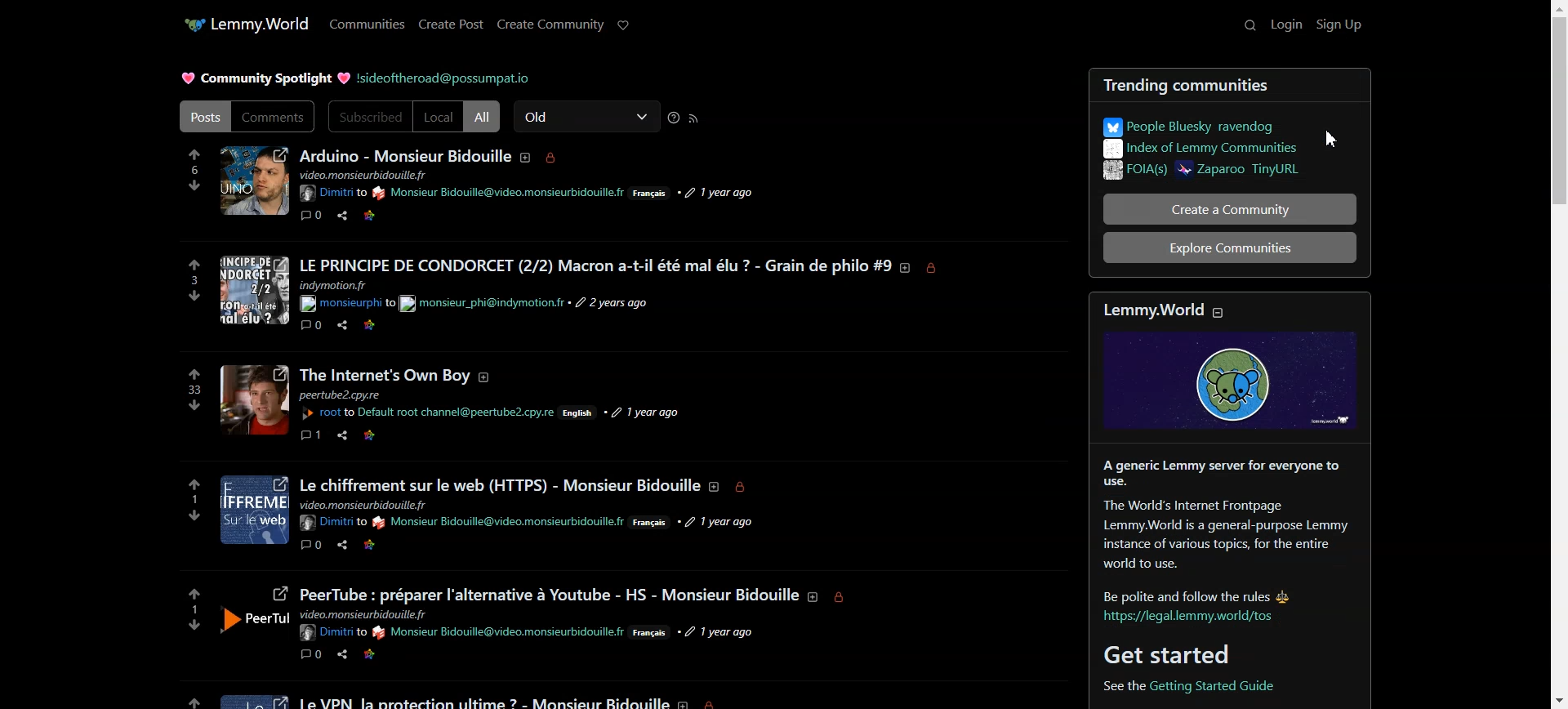  What do you see at coordinates (341, 328) in the screenshot?
I see `share` at bounding box center [341, 328].